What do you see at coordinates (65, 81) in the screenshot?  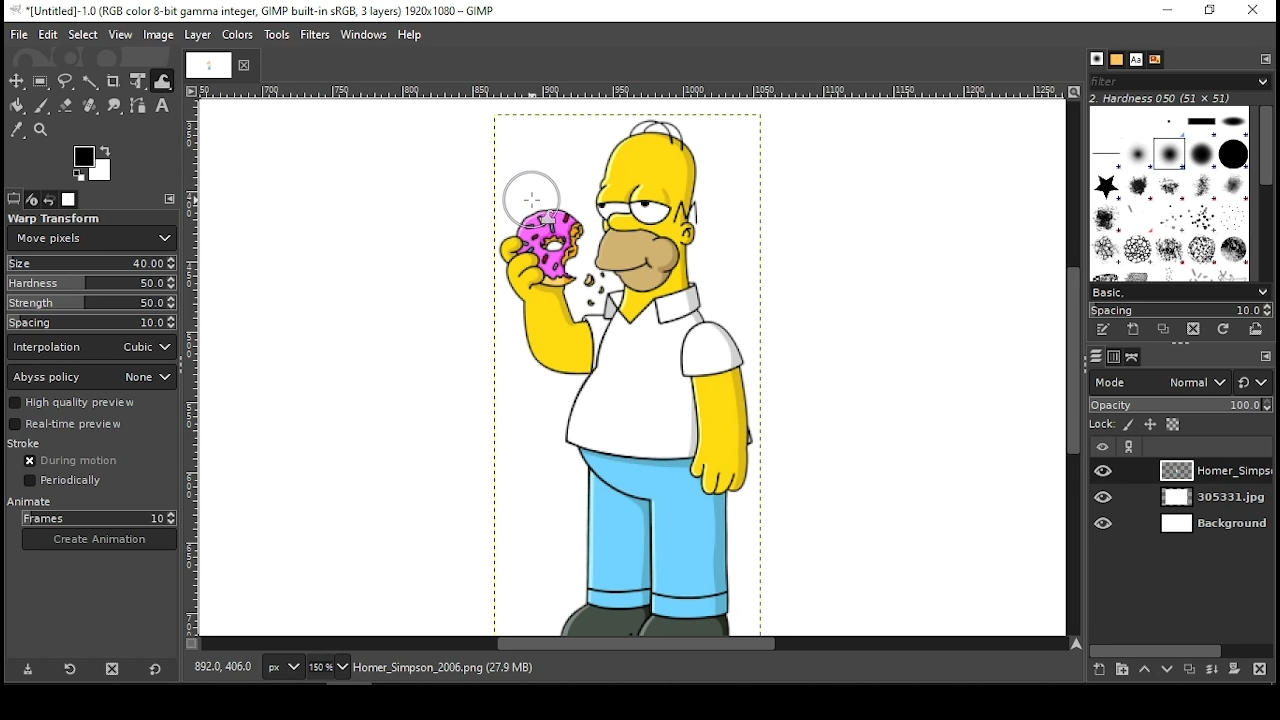 I see `freehand select tool` at bounding box center [65, 81].